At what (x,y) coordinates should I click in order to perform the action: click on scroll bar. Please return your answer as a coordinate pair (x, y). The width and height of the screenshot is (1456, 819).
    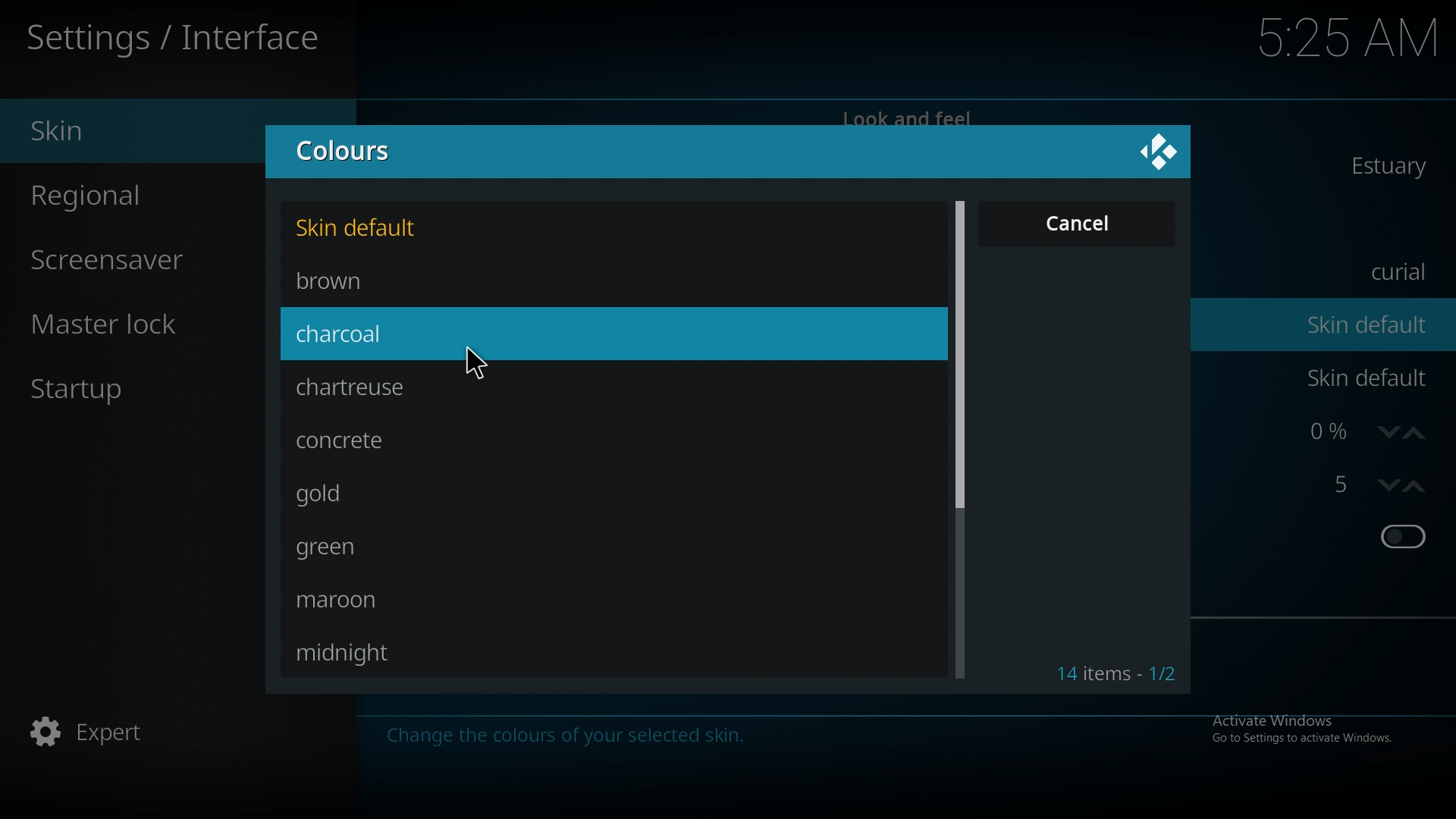
    Looking at the image, I should click on (961, 355).